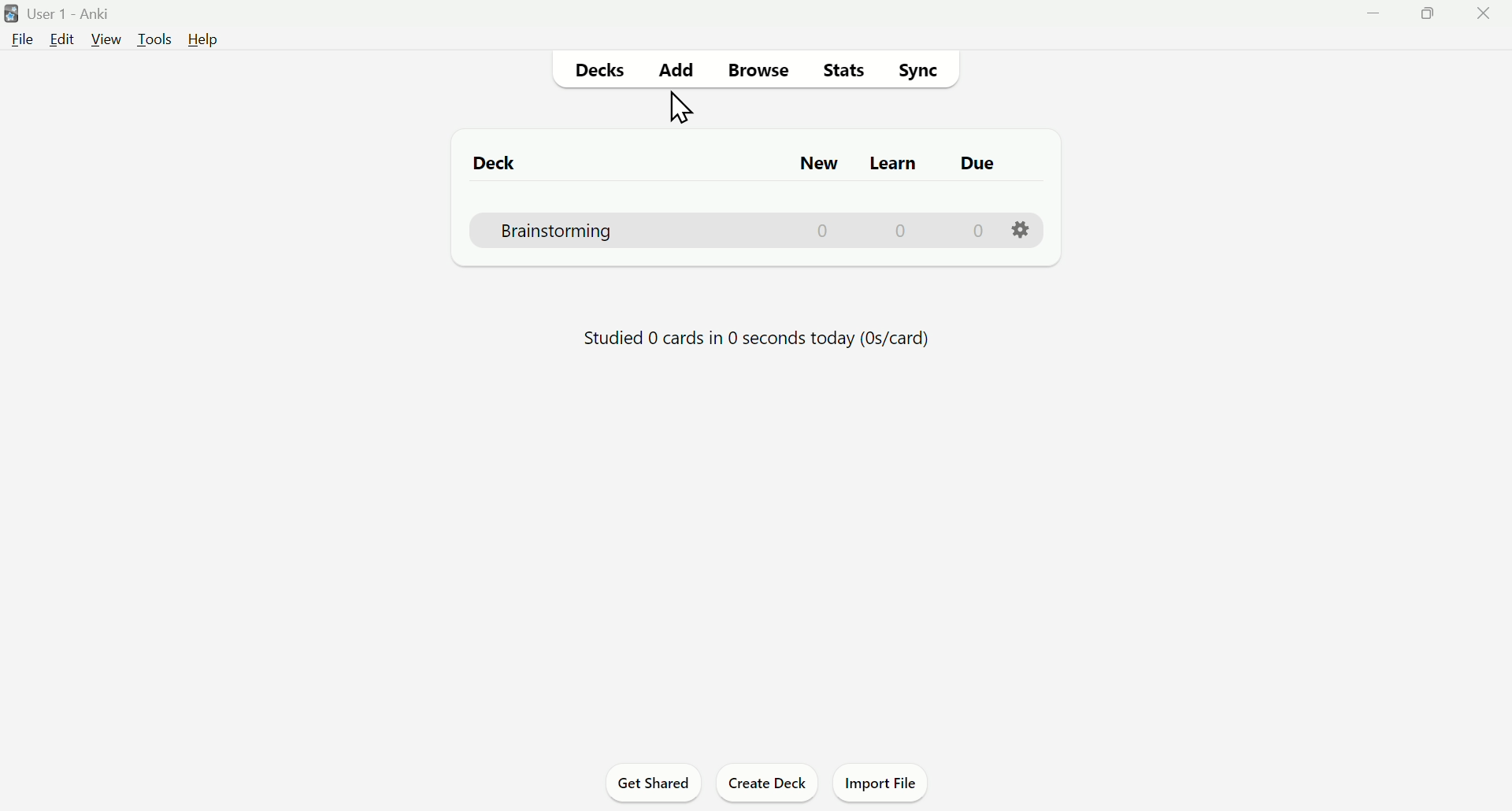  Describe the element at coordinates (895, 159) in the screenshot. I see `Learn` at that location.